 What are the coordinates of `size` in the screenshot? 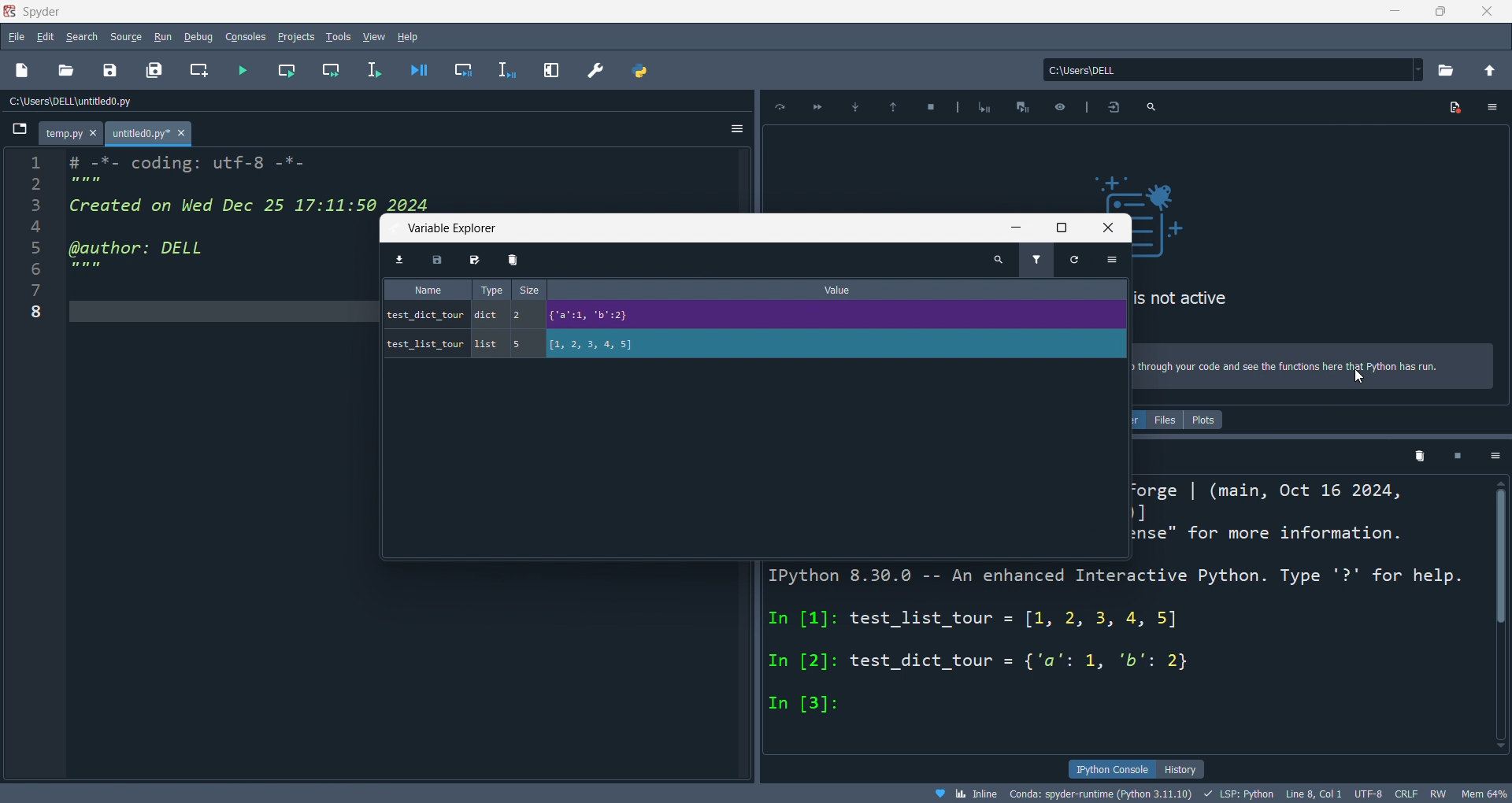 It's located at (528, 291).